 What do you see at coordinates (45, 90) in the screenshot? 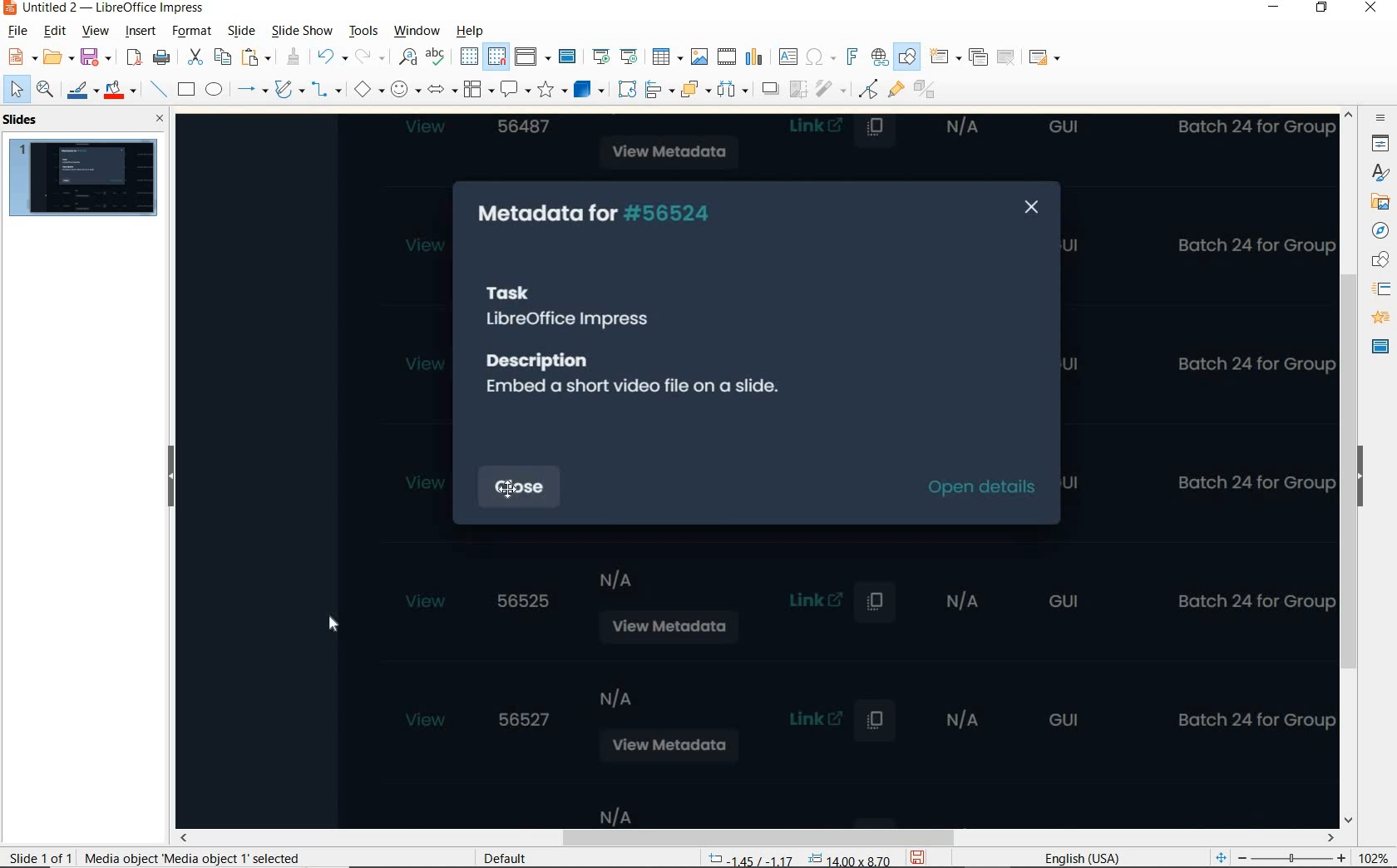
I see `ZOOM & PAN` at bounding box center [45, 90].